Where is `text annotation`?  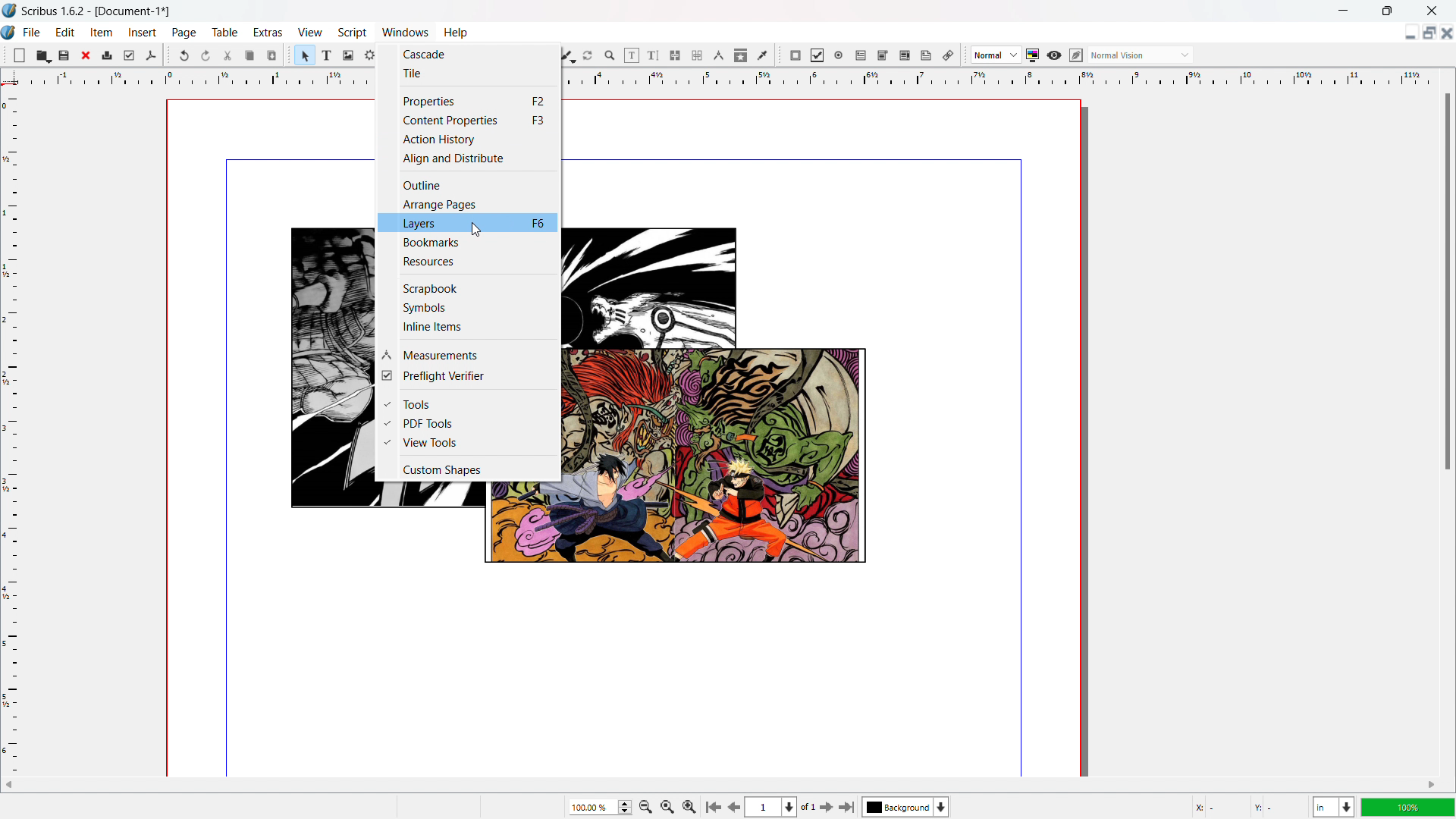 text annotation is located at coordinates (927, 55).